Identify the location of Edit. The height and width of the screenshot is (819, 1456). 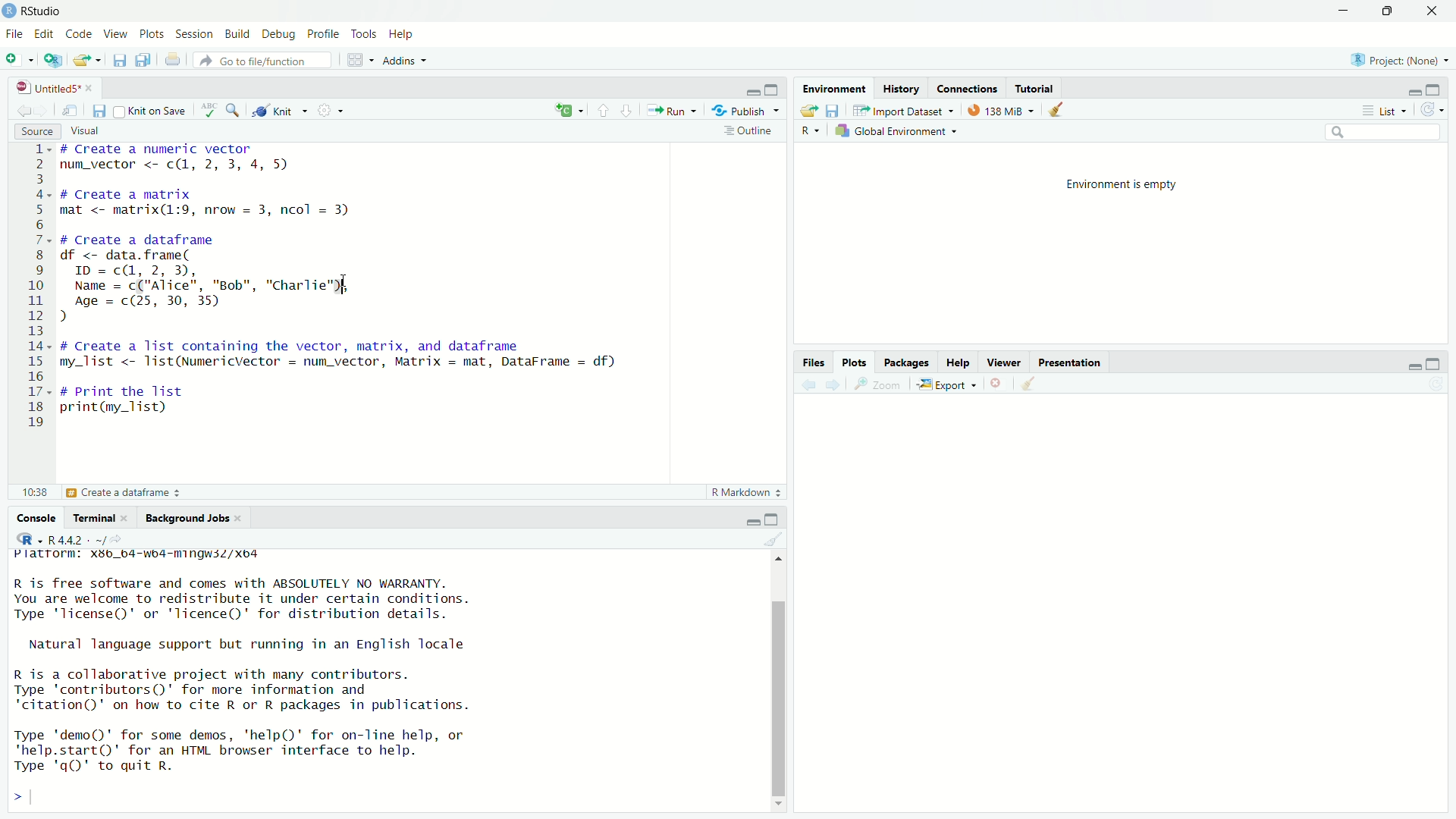
(44, 34).